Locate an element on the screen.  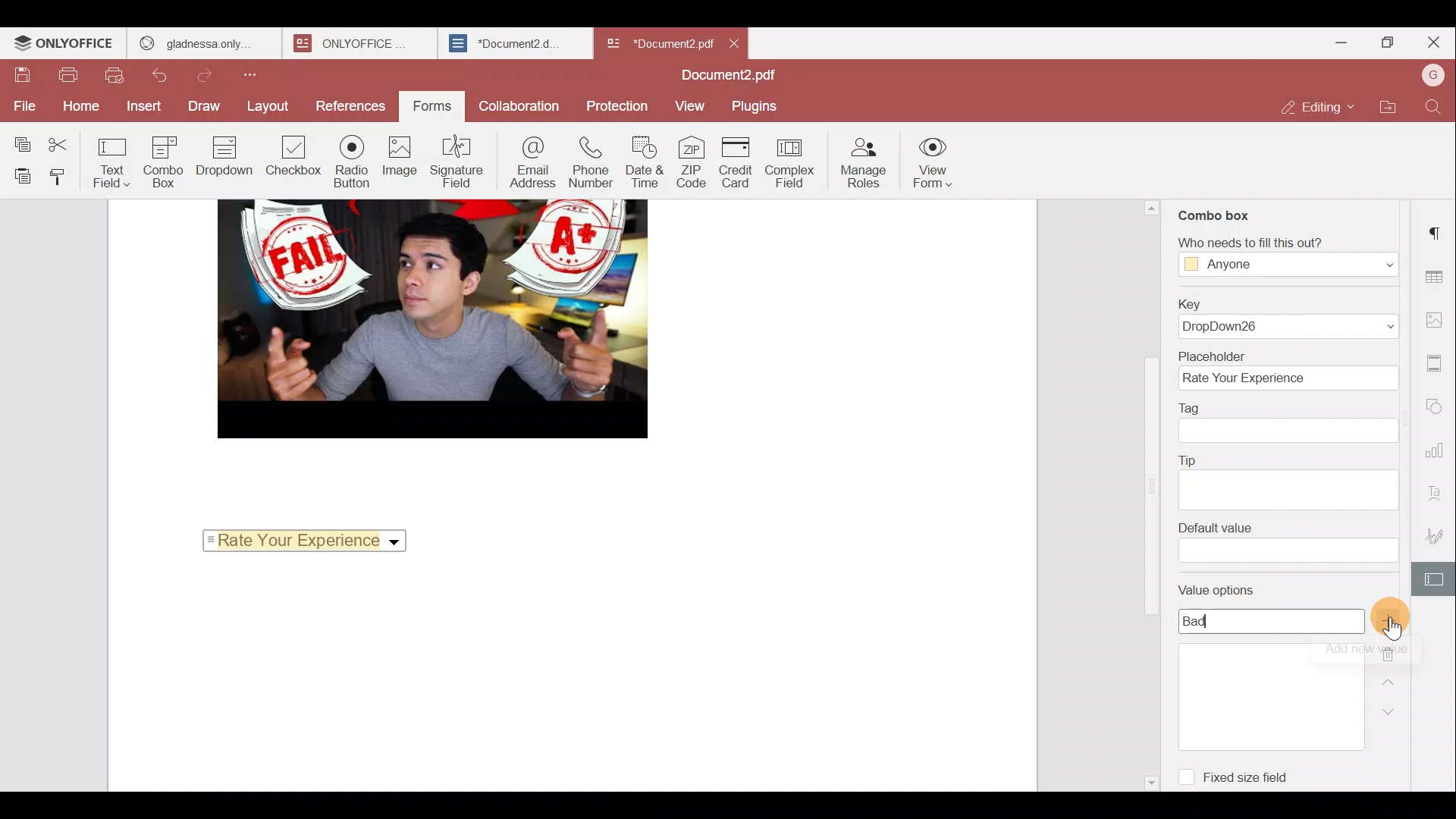
Undo is located at coordinates (164, 75).